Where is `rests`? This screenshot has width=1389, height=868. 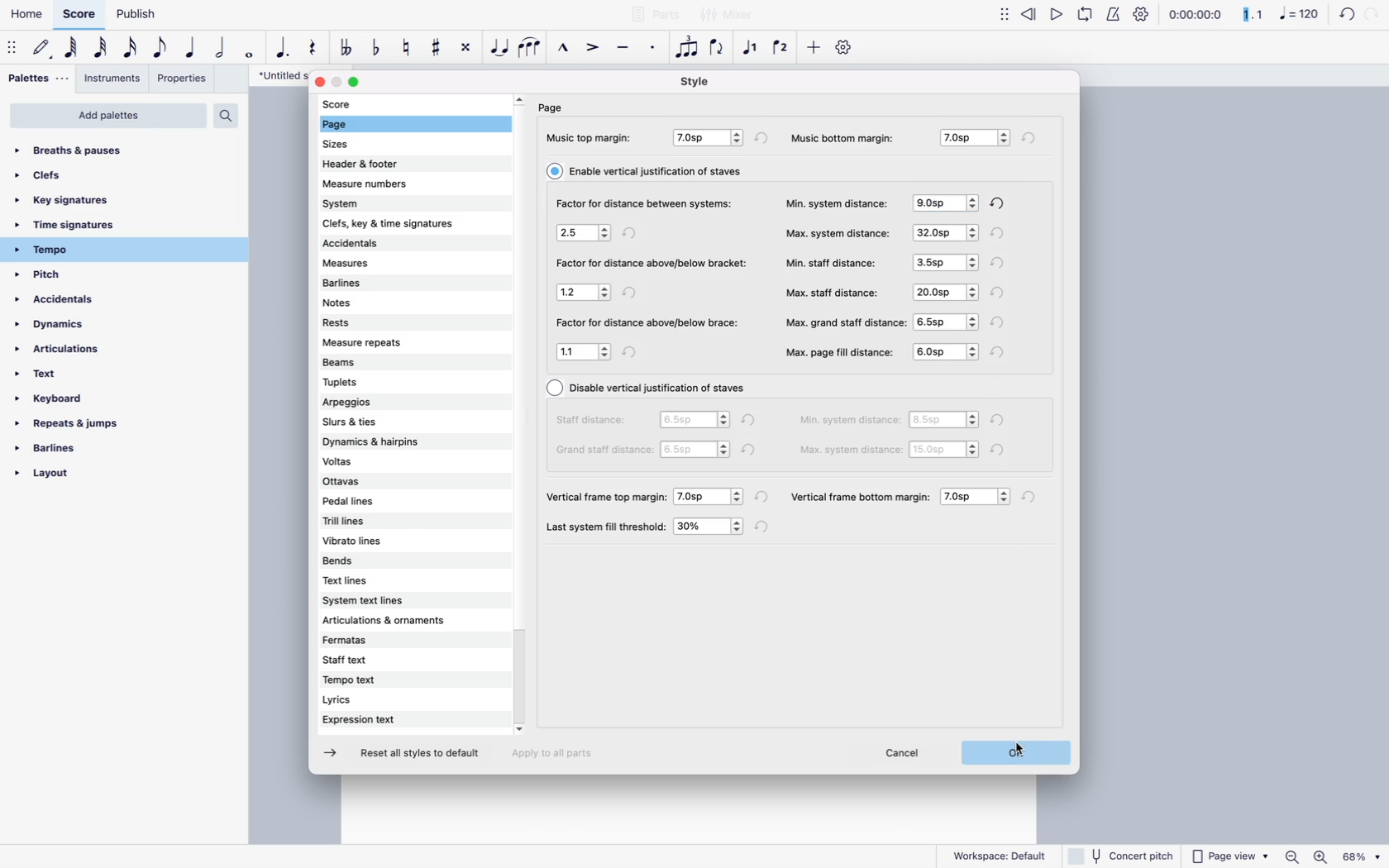
rests is located at coordinates (381, 321).